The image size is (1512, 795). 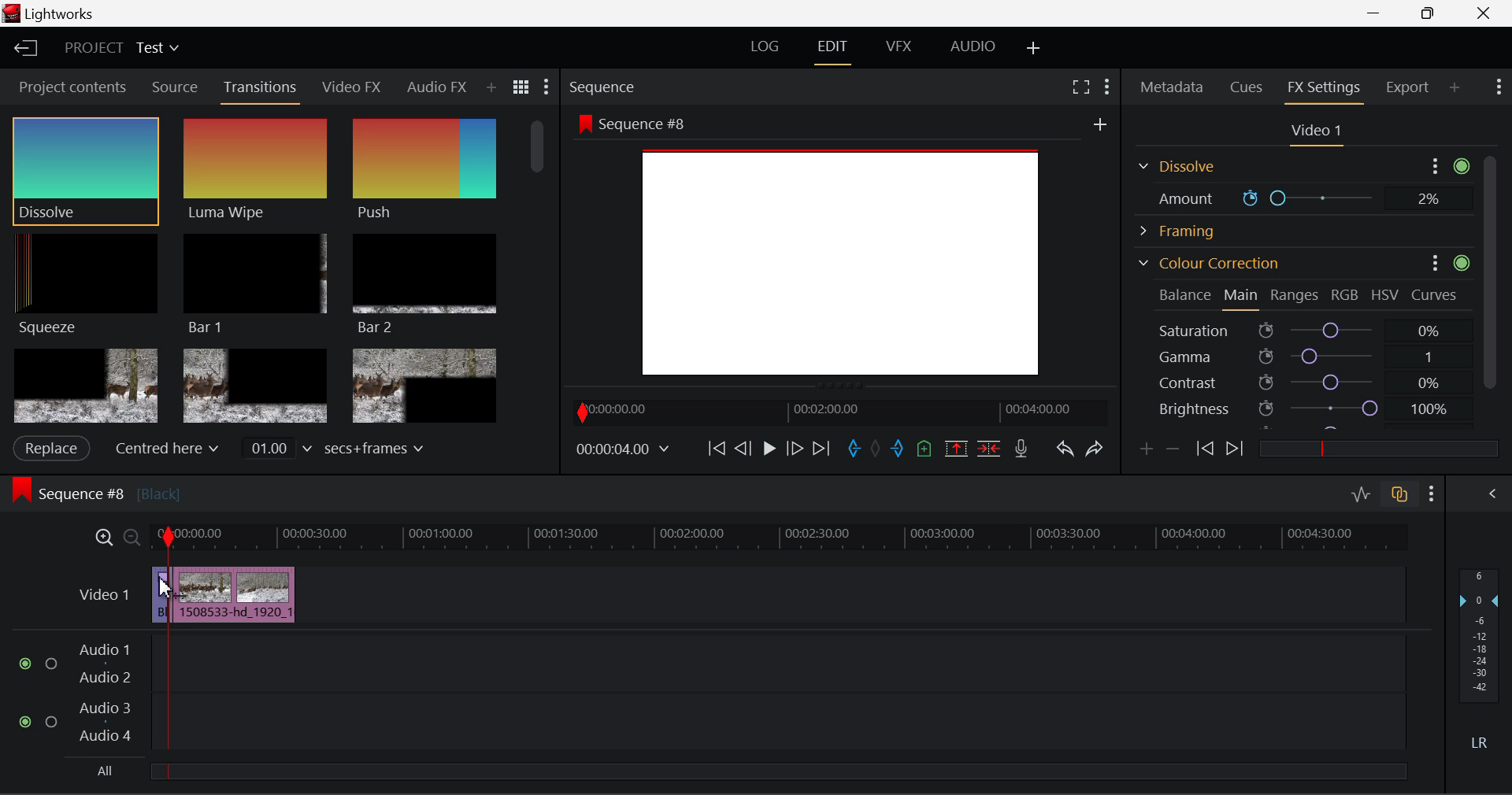 I want to click on Apply, so click(x=50, y=448).